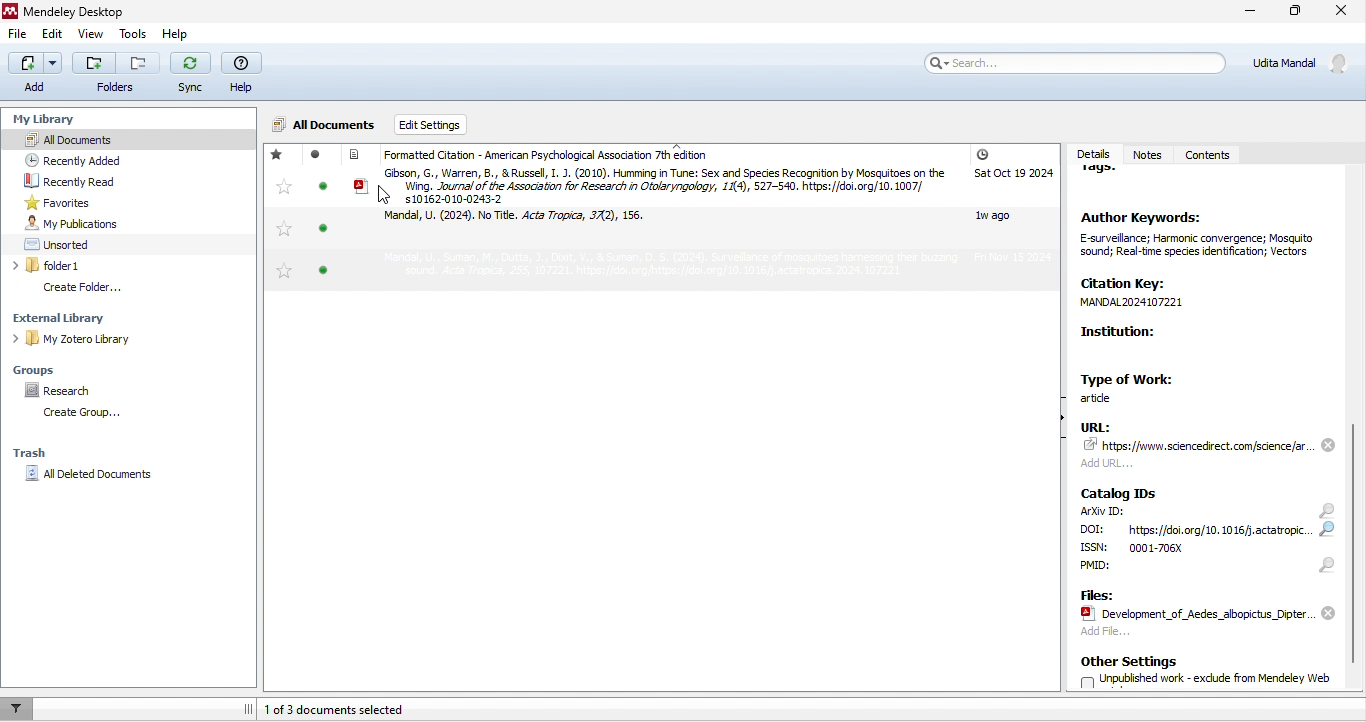 The image size is (1366, 722). Describe the element at coordinates (1305, 63) in the screenshot. I see `Udita Mandal` at that location.